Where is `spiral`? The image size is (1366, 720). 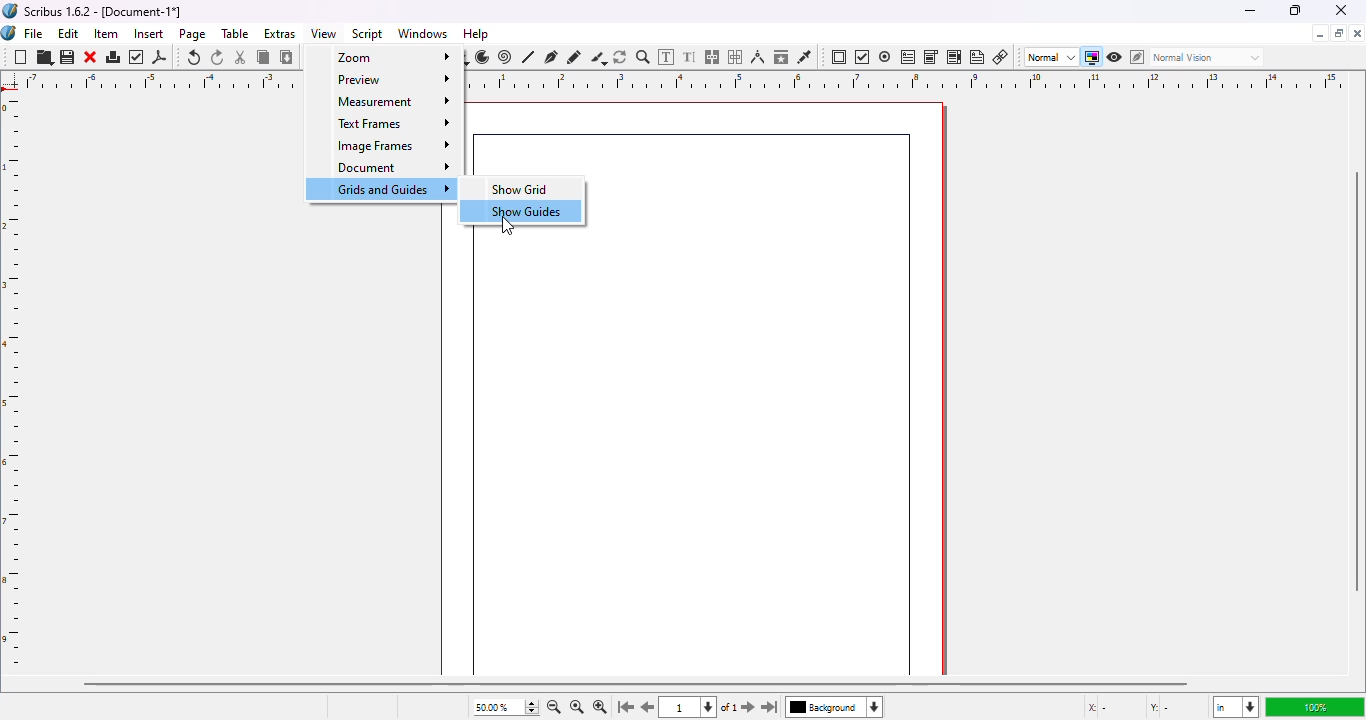
spiral is located at coordinates (505, 57).